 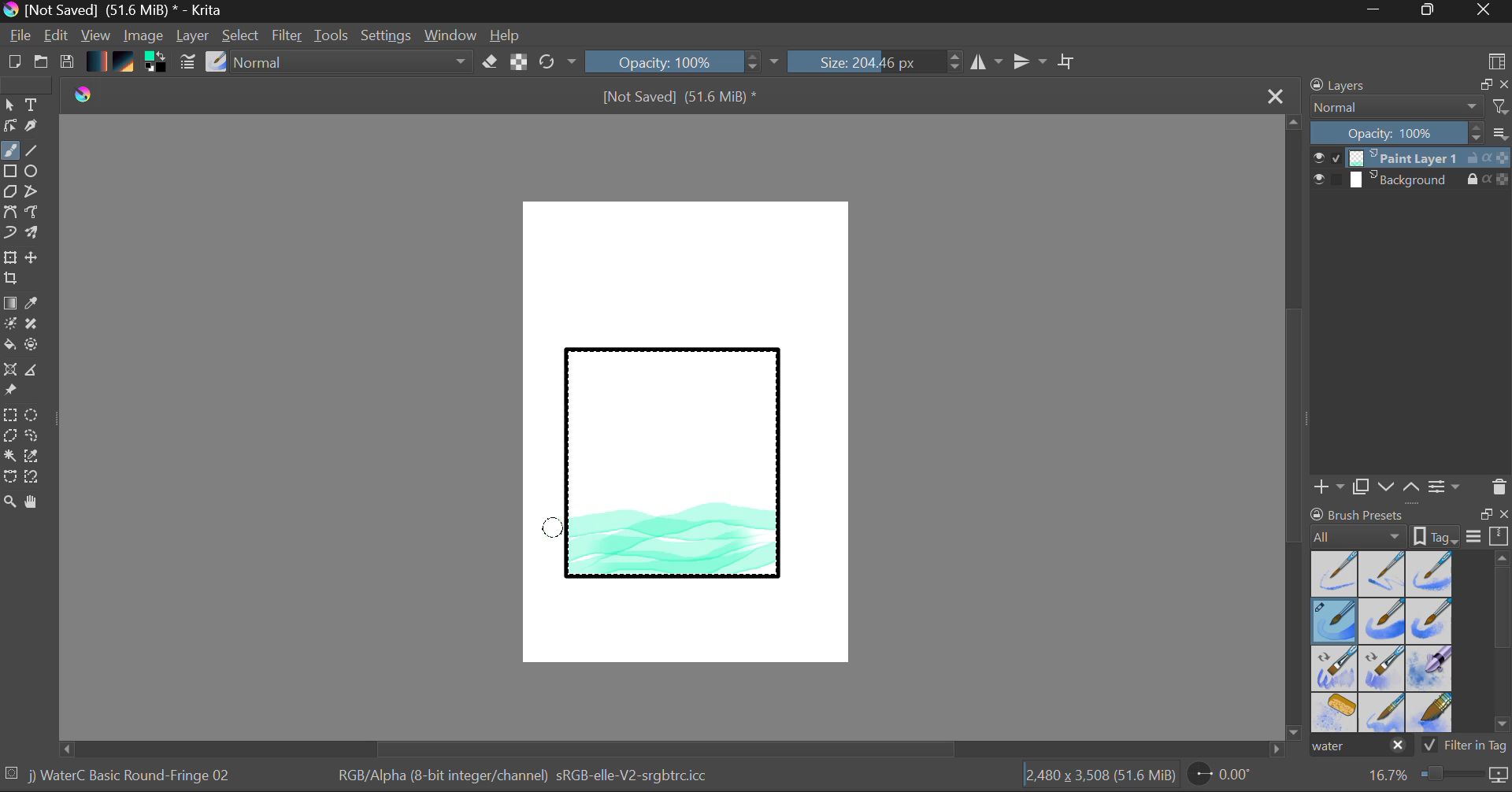 I want to click on Edit Shapes, so click(x=9, y=128).